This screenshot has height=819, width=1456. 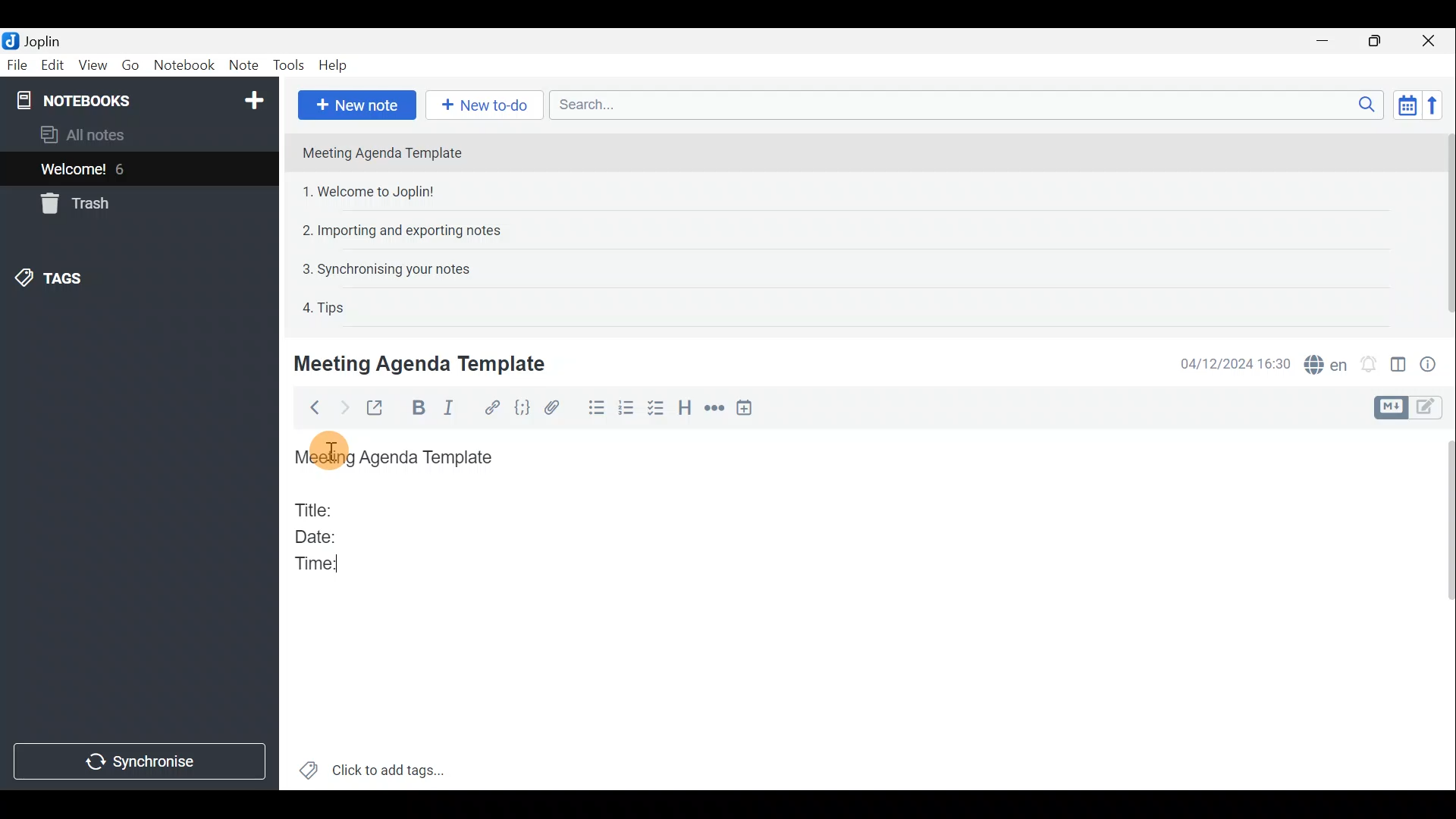 What do you see at coordinates (74, 171) in the screenshot?
I see `Welcome!` at bounding box center [74, 171].